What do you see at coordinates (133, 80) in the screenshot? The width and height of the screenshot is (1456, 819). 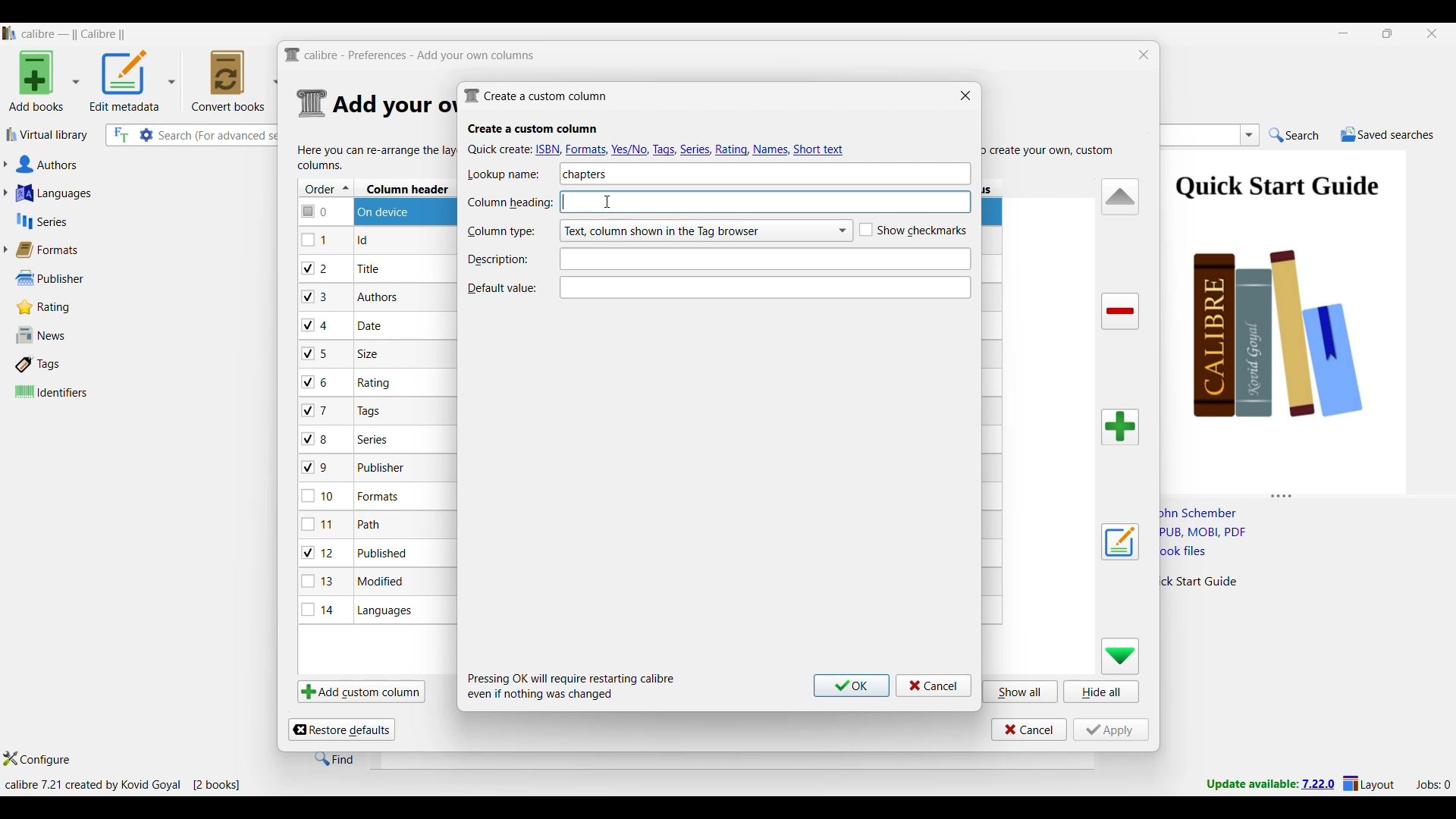 I see `Options to edit metadata` at bounding box center [133, 80].